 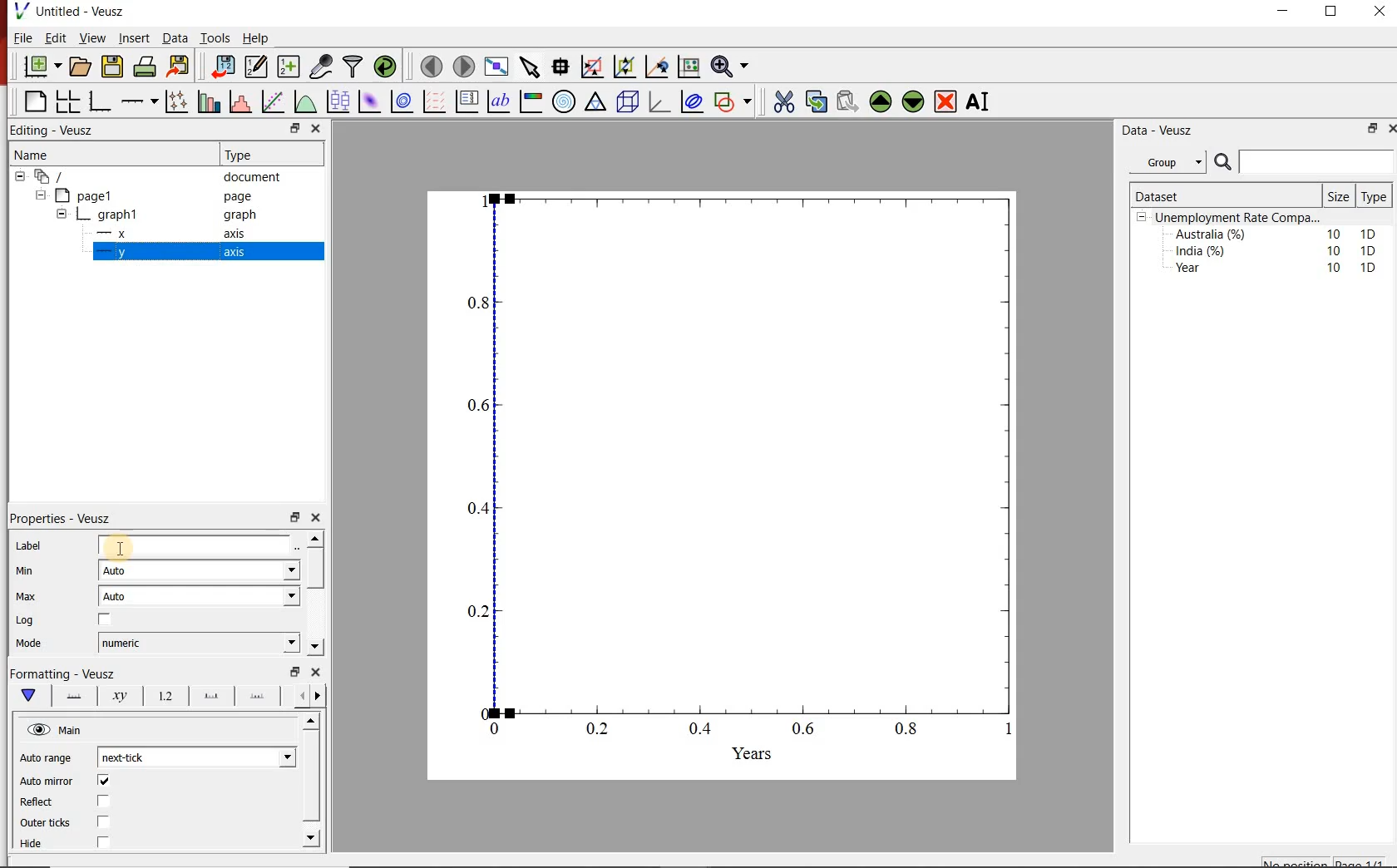 What do you see at coordinates (106, 782) in the screenshot?
I see `checkbox` at bounding box center [106, 782].